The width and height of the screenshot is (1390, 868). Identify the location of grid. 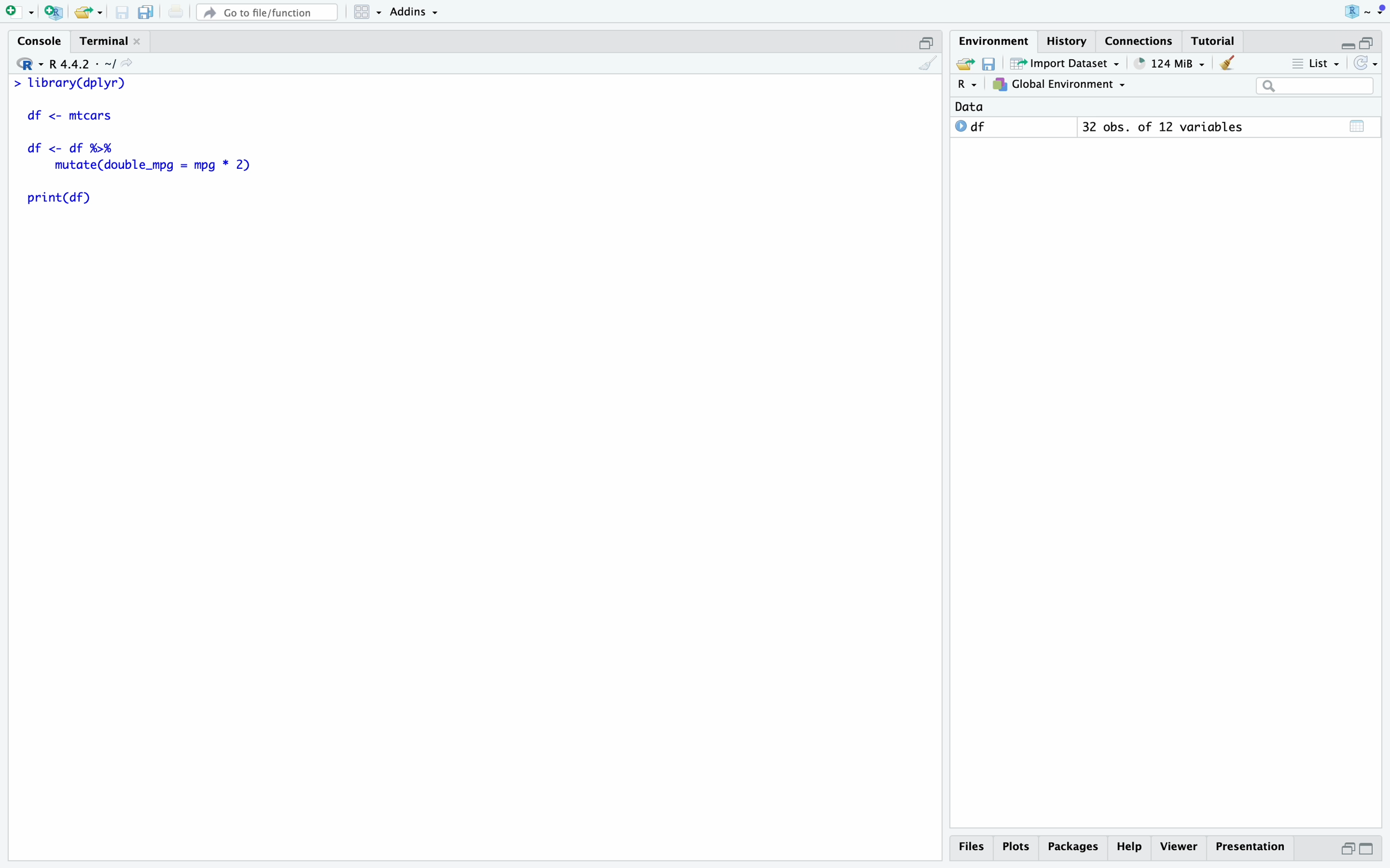
(369, 13).